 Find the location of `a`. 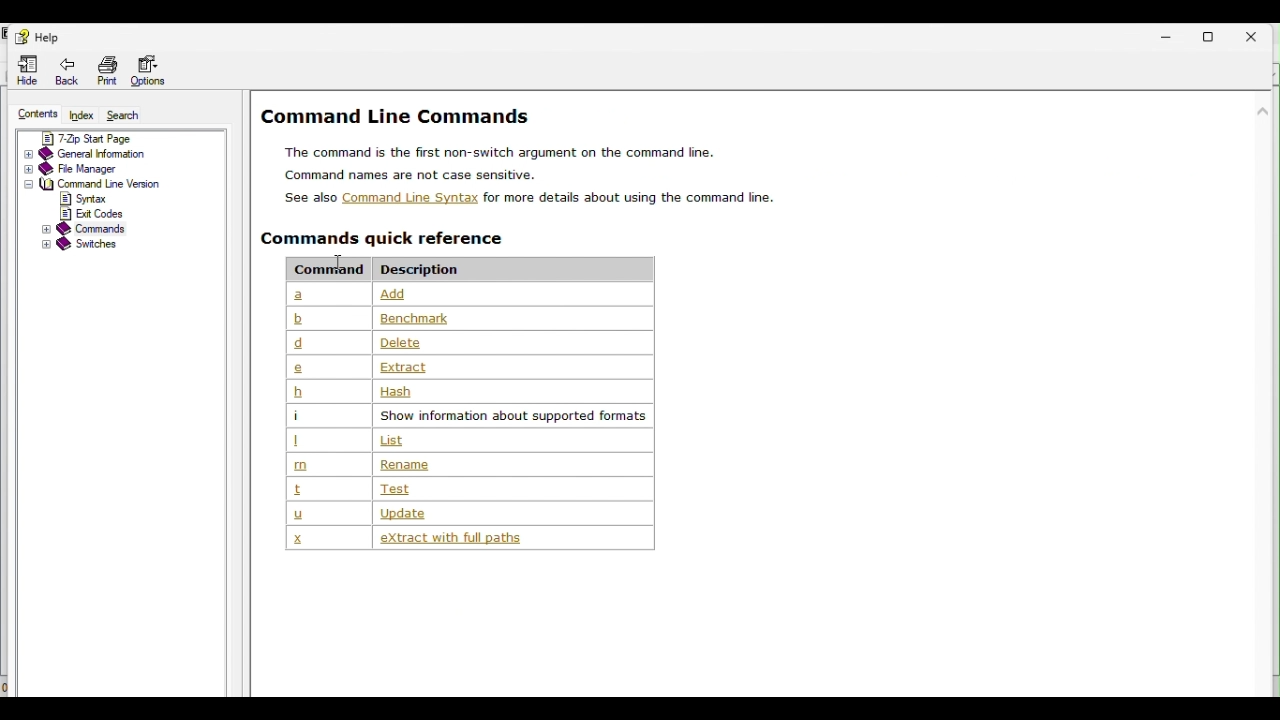

a is located at coordinates (302, 296).